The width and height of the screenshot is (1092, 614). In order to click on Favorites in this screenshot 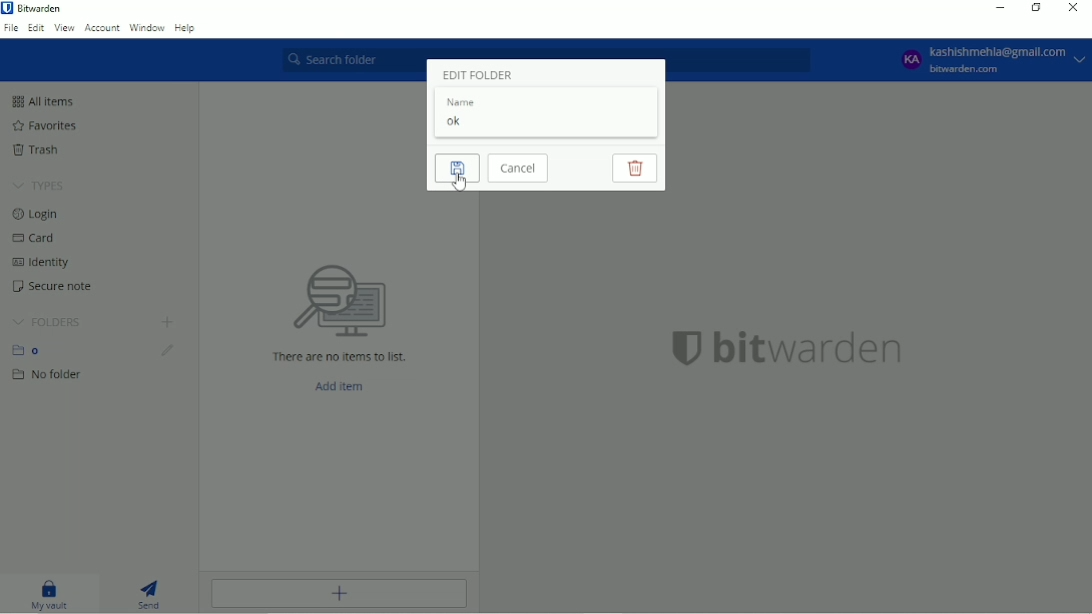, I will do `click(43, 126)`.